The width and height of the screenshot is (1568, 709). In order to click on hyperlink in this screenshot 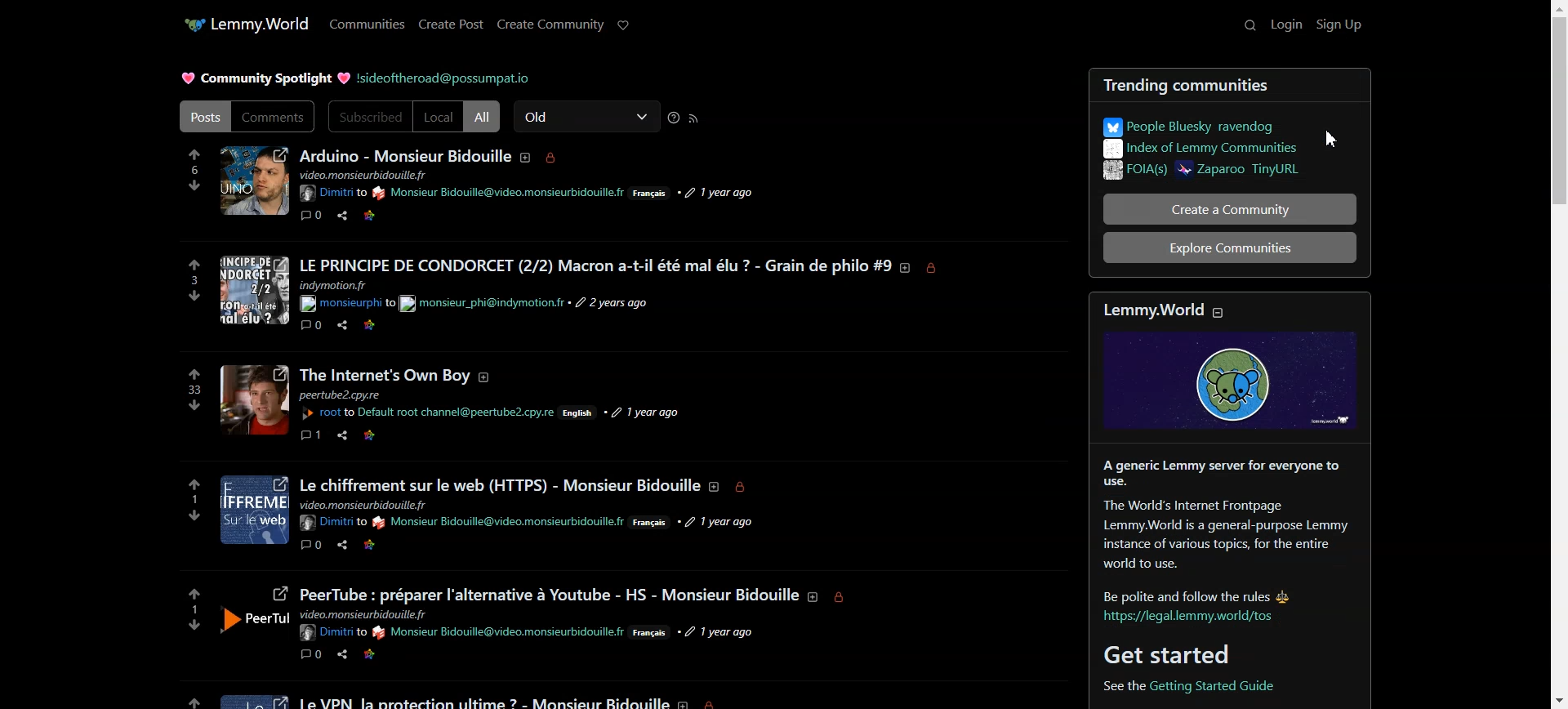, I will do `click(499, 524)`.